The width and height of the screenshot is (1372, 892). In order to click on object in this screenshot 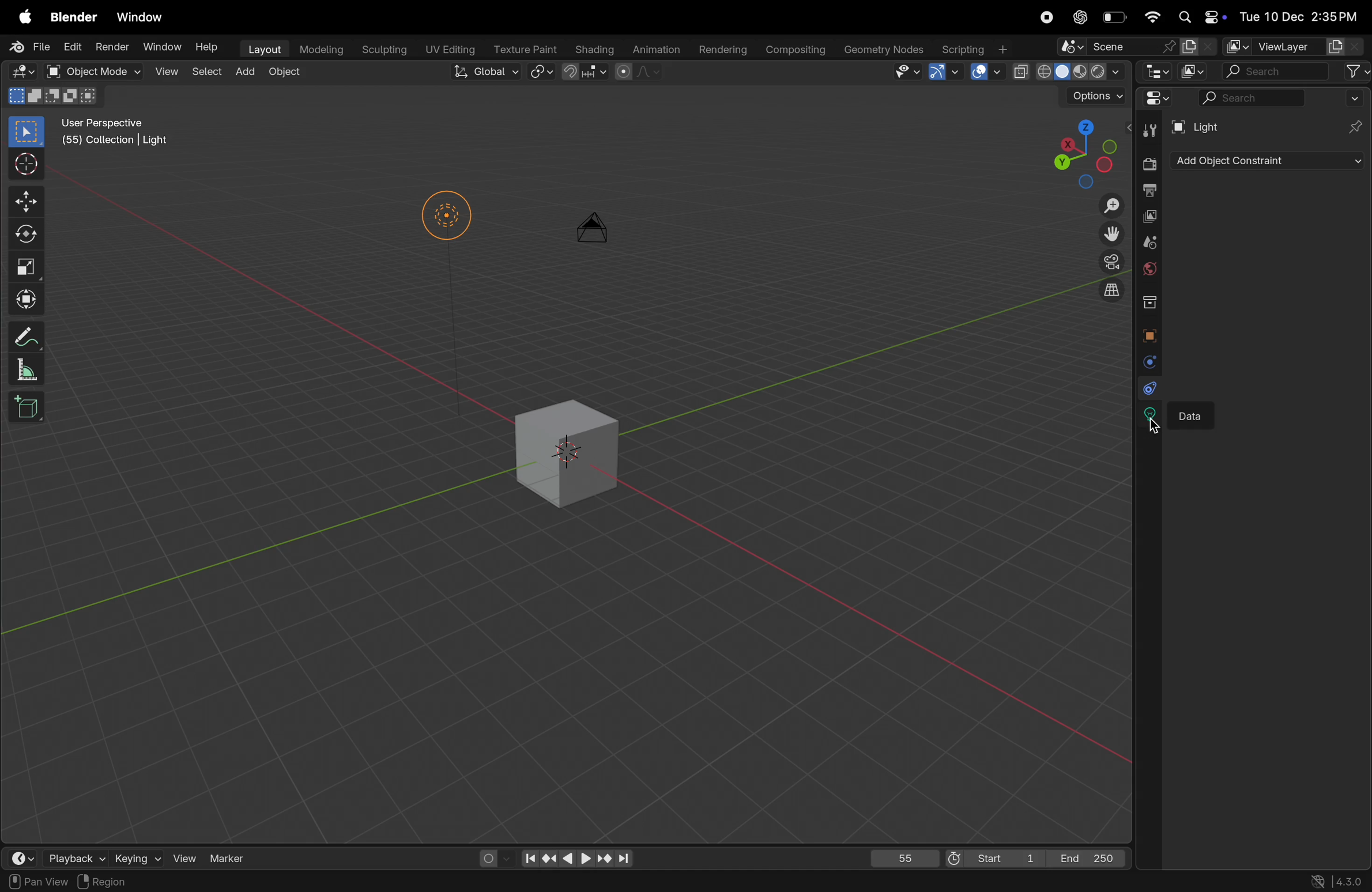, I will do `click(1152, 334)`.